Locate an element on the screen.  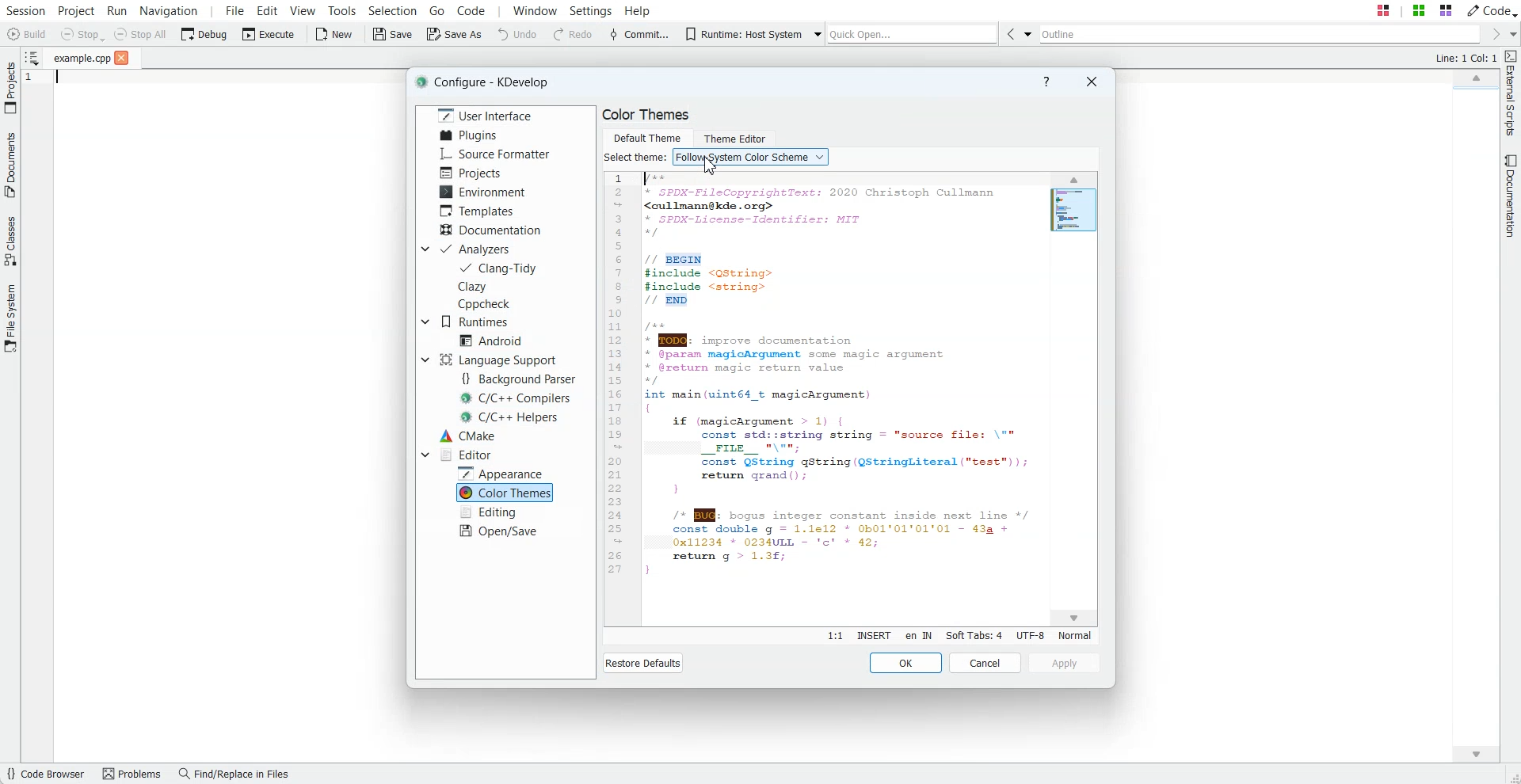
Text is located at coordinates (489, 82).